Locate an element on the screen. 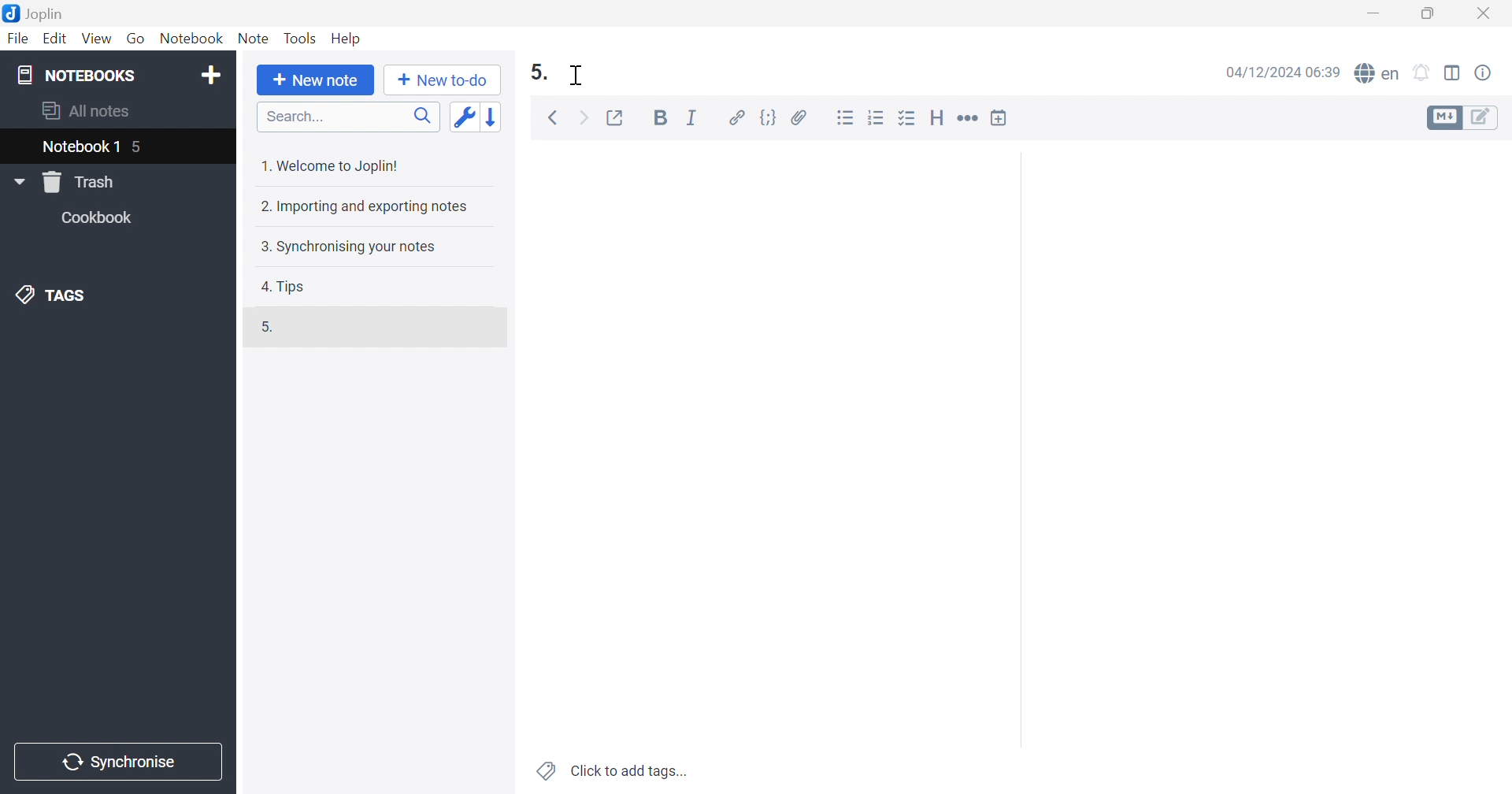 This screenshot has width=1512, height=794. Minimize is located at coordinates (1377, 9).